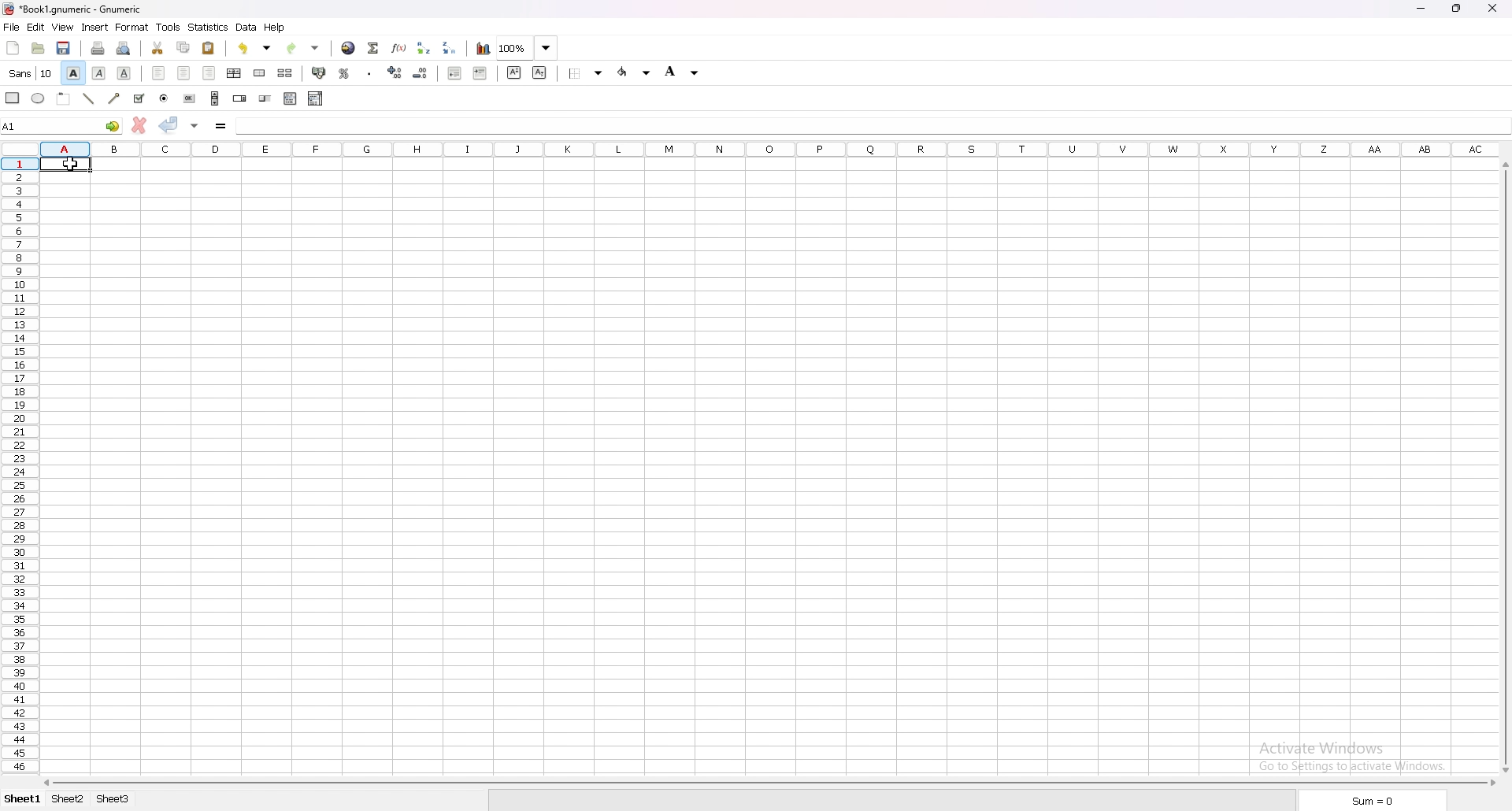  What do you see at coordinates (114, 799) in the screenshot?
I see `sheet 3` at bounding box center [114, 799].